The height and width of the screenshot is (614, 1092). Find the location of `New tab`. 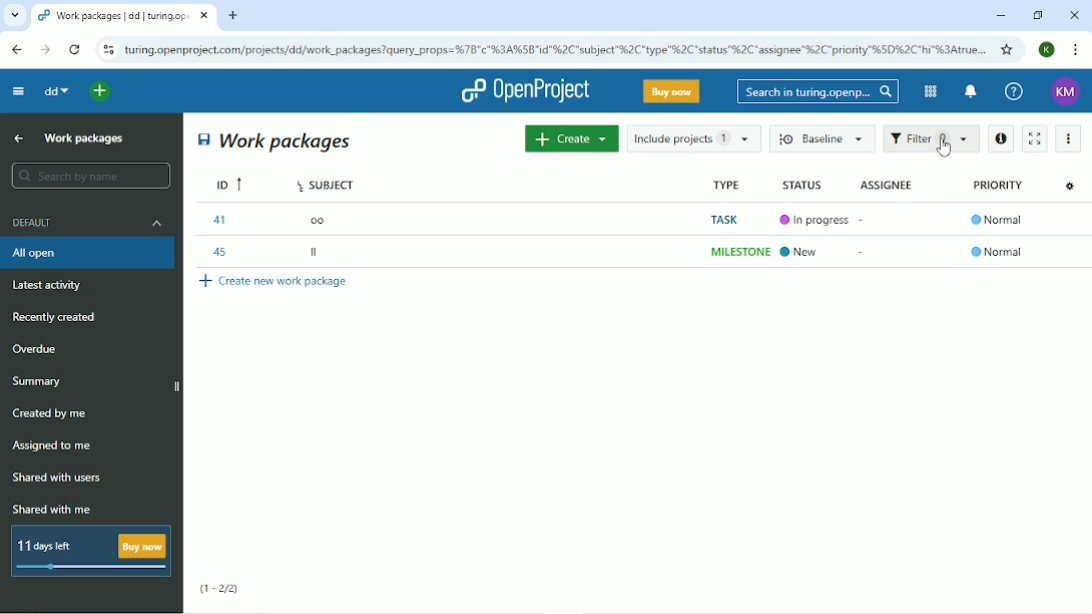

New tab is located at coordinates (233, 16).